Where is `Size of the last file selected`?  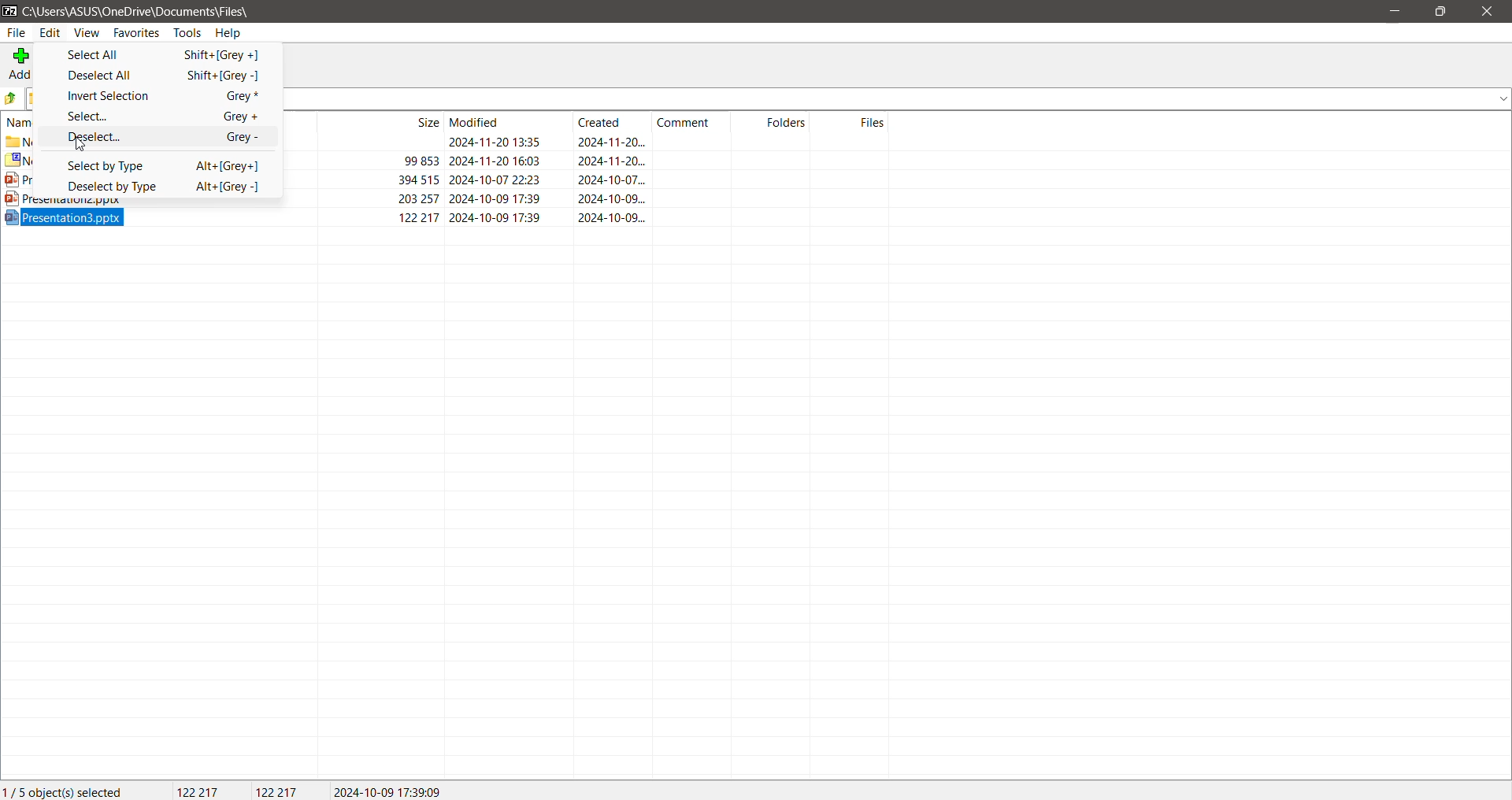
Size of the last file selected is located at coordinates (277, 791).